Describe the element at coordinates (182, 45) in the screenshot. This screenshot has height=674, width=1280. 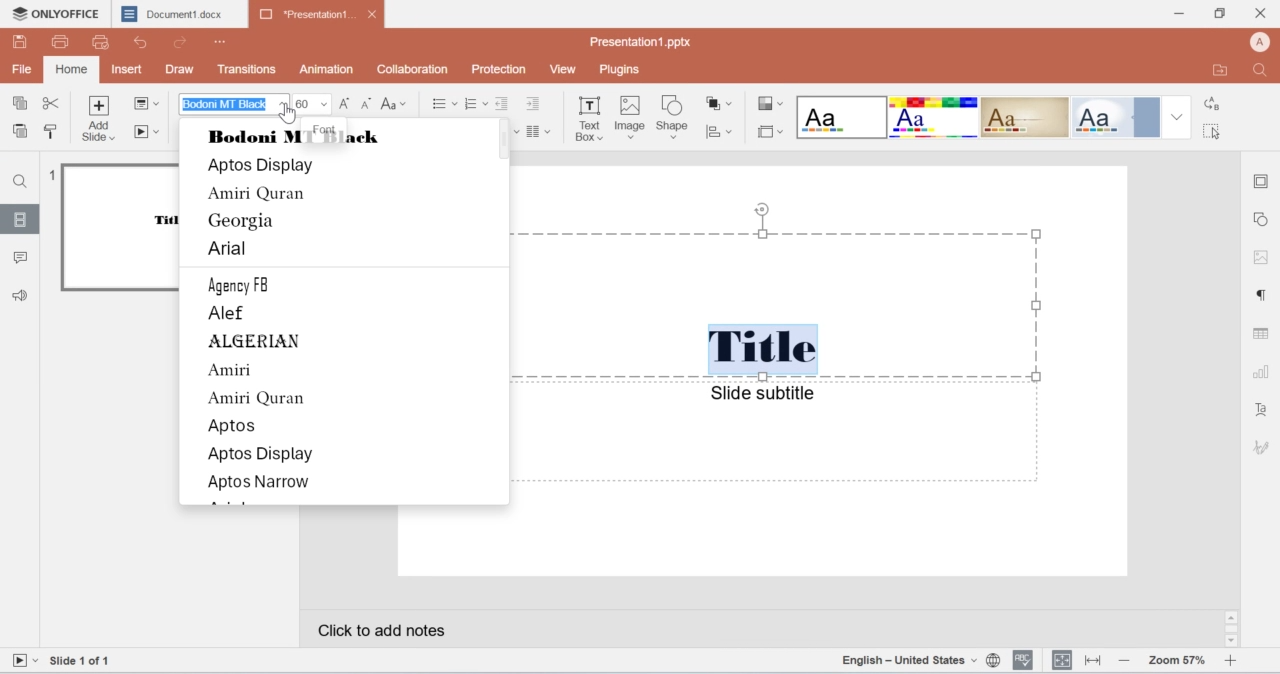
I see `redo` at that location.